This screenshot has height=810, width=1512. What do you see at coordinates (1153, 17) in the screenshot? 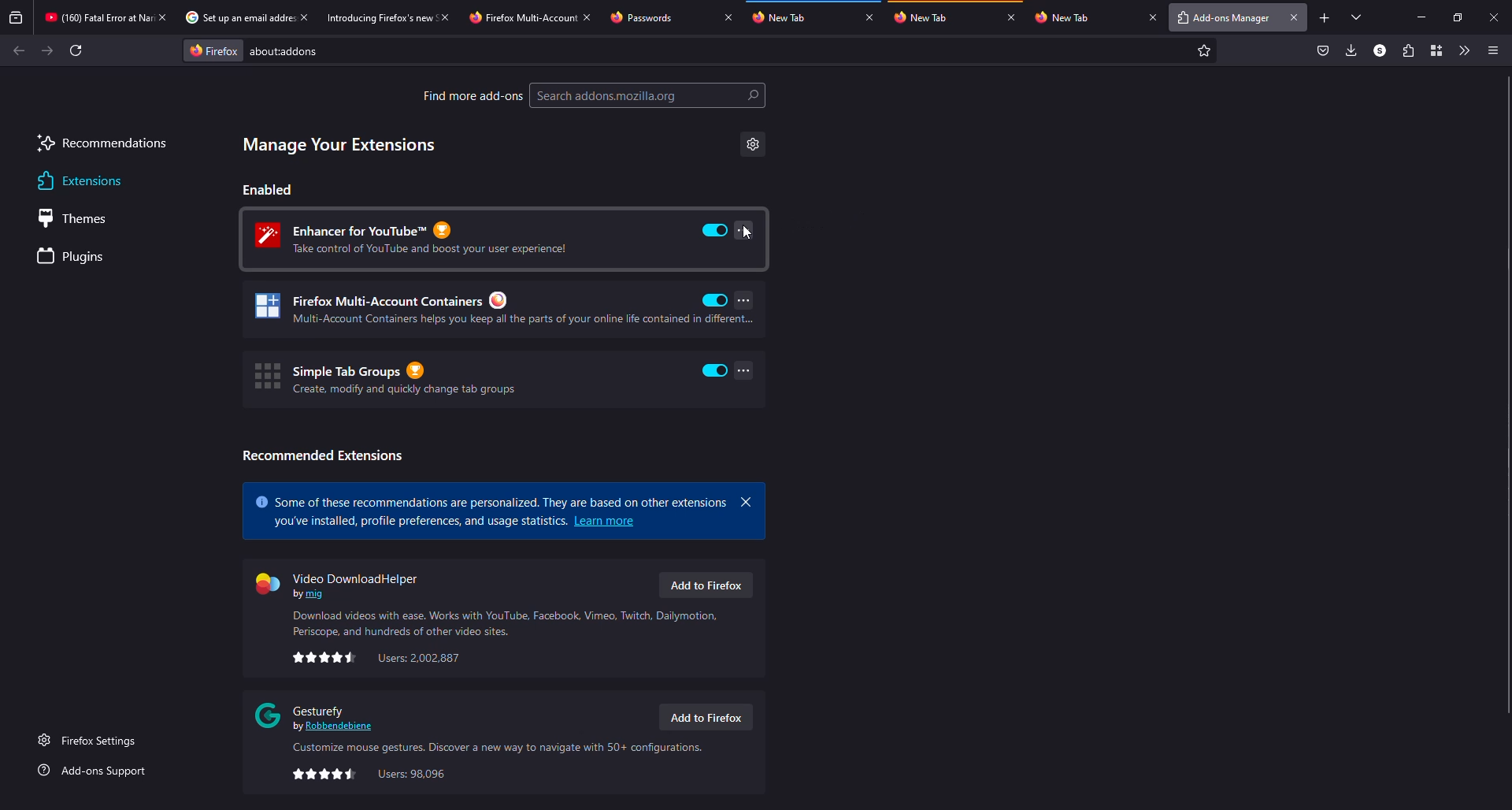
I see `close` at bounding box center [1153, 17].